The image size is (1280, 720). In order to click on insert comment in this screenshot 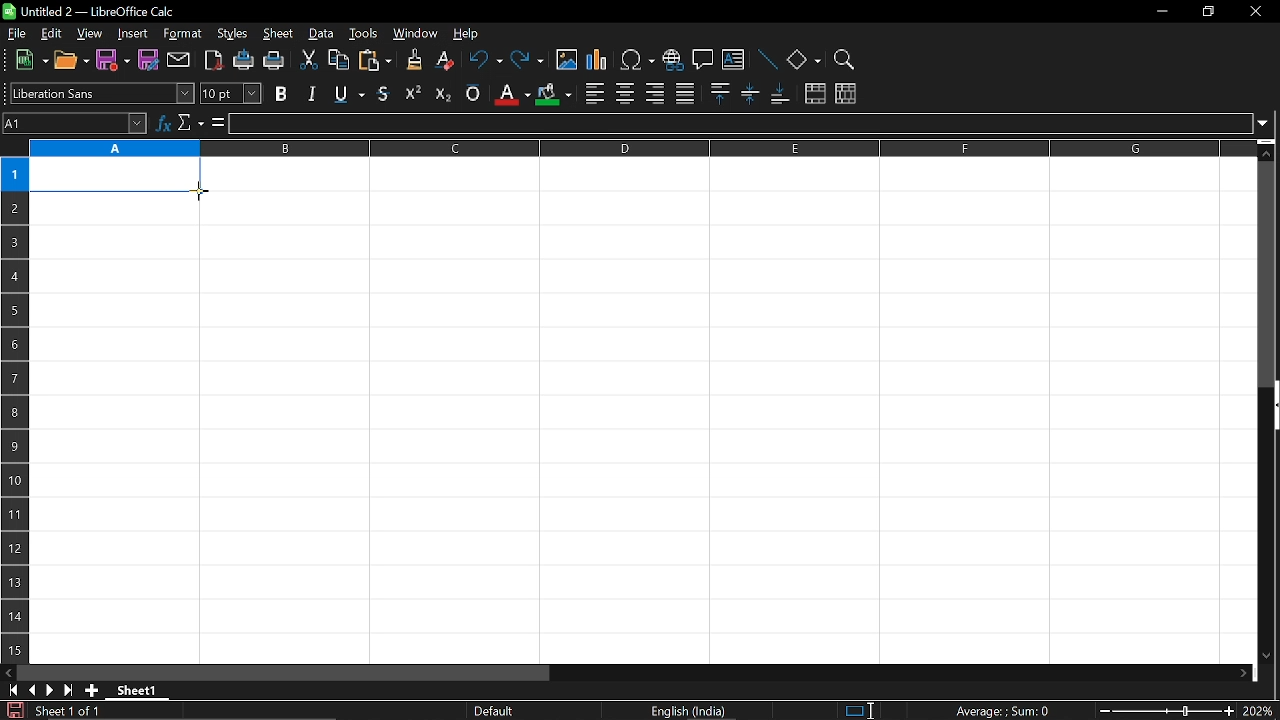, I will do `click(702, 60)`.